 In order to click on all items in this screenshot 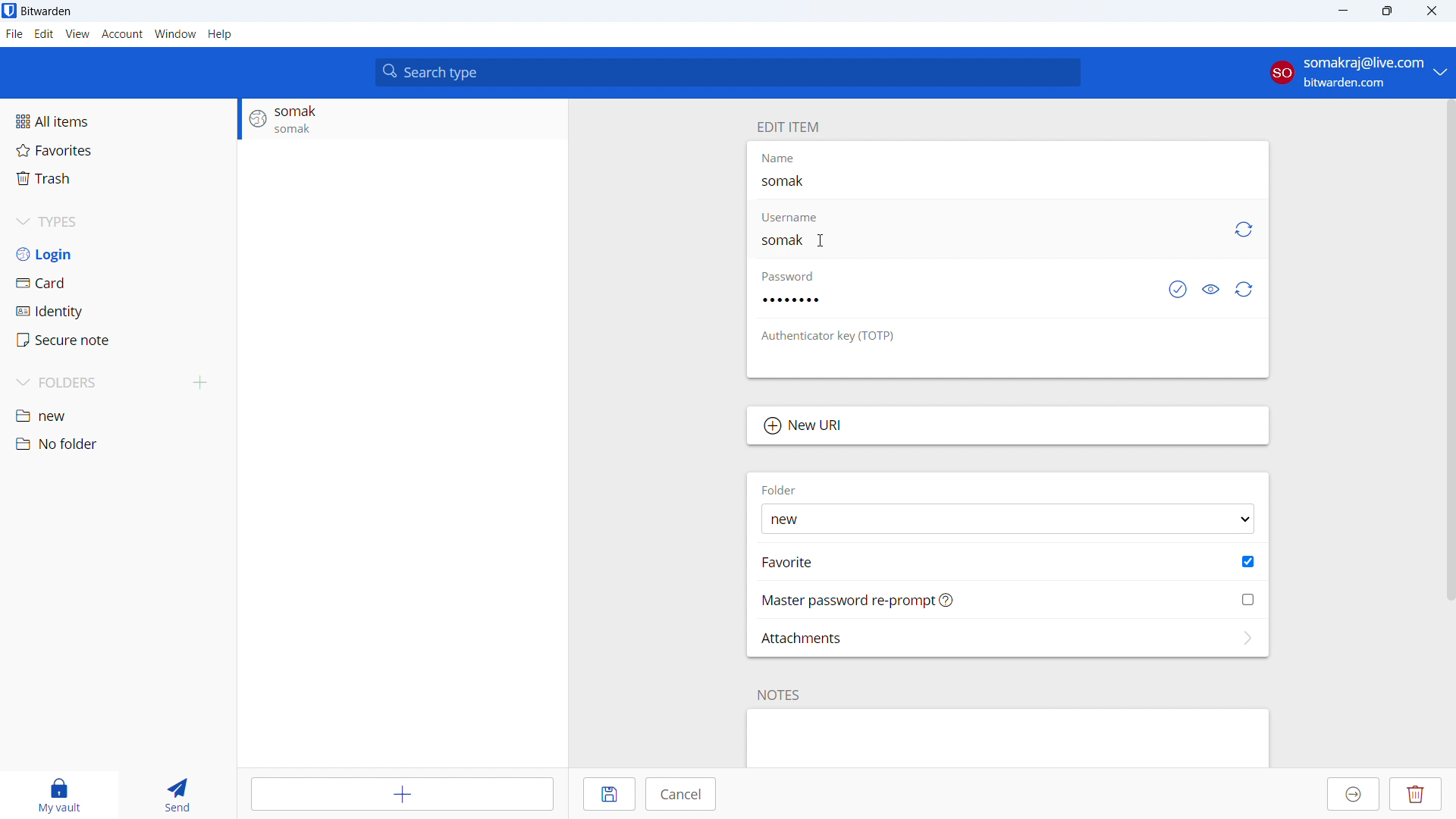, I will do `click(118, 121)`.